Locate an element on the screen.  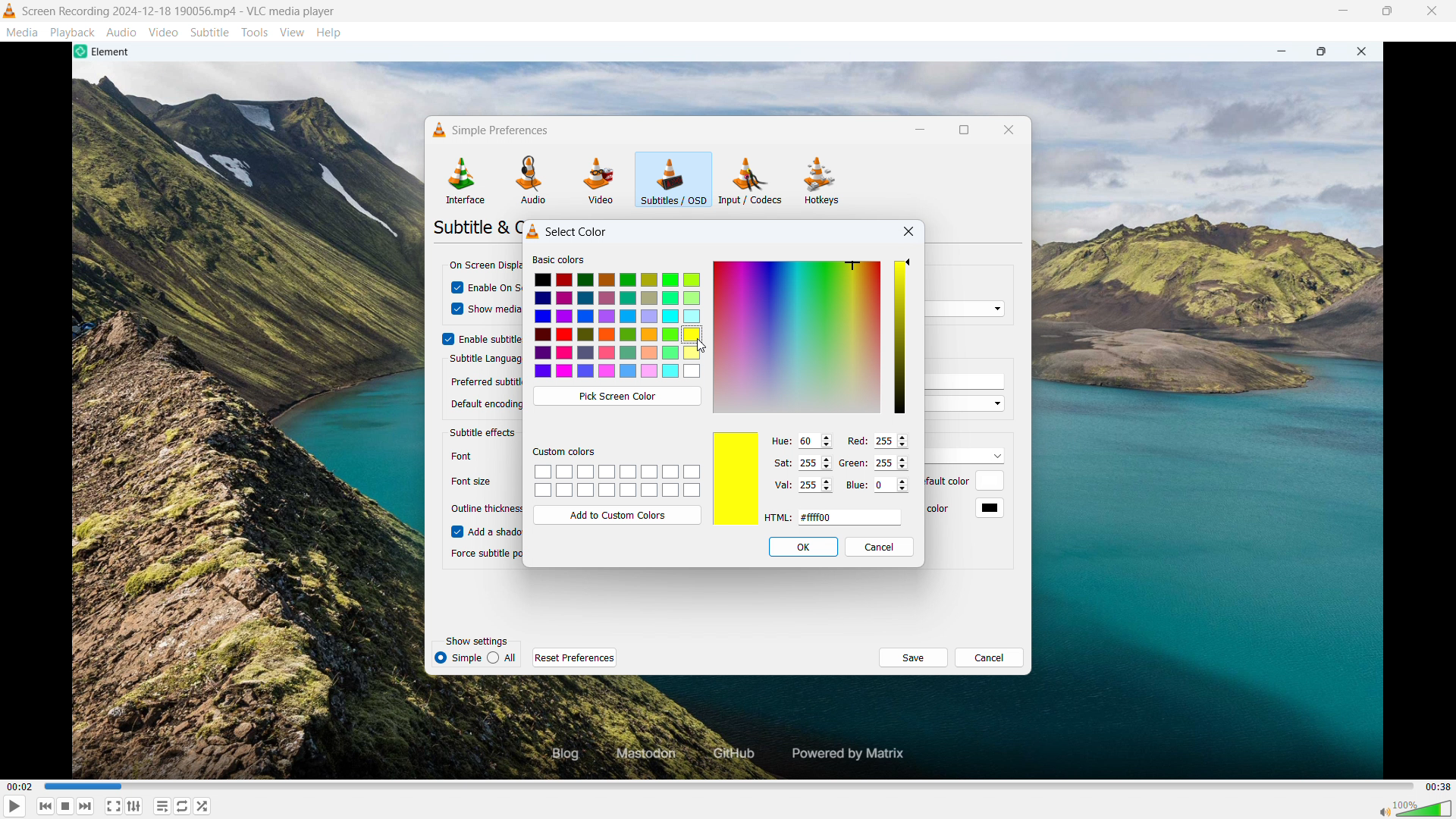
Show advanced settings  is located at coordinates (133, 806).